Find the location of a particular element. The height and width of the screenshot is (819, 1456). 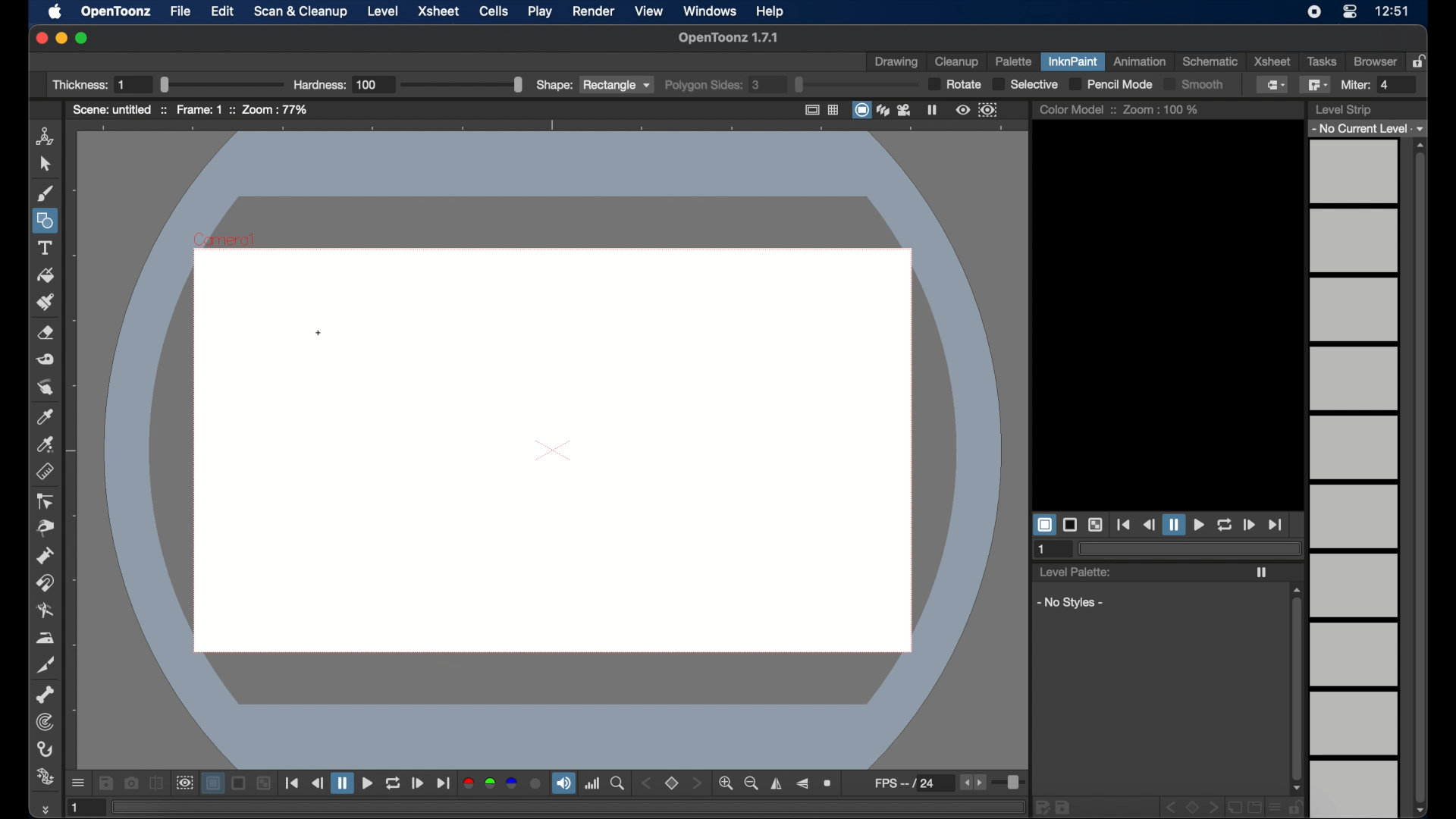

picker tool is located at coordinates (46, 444).